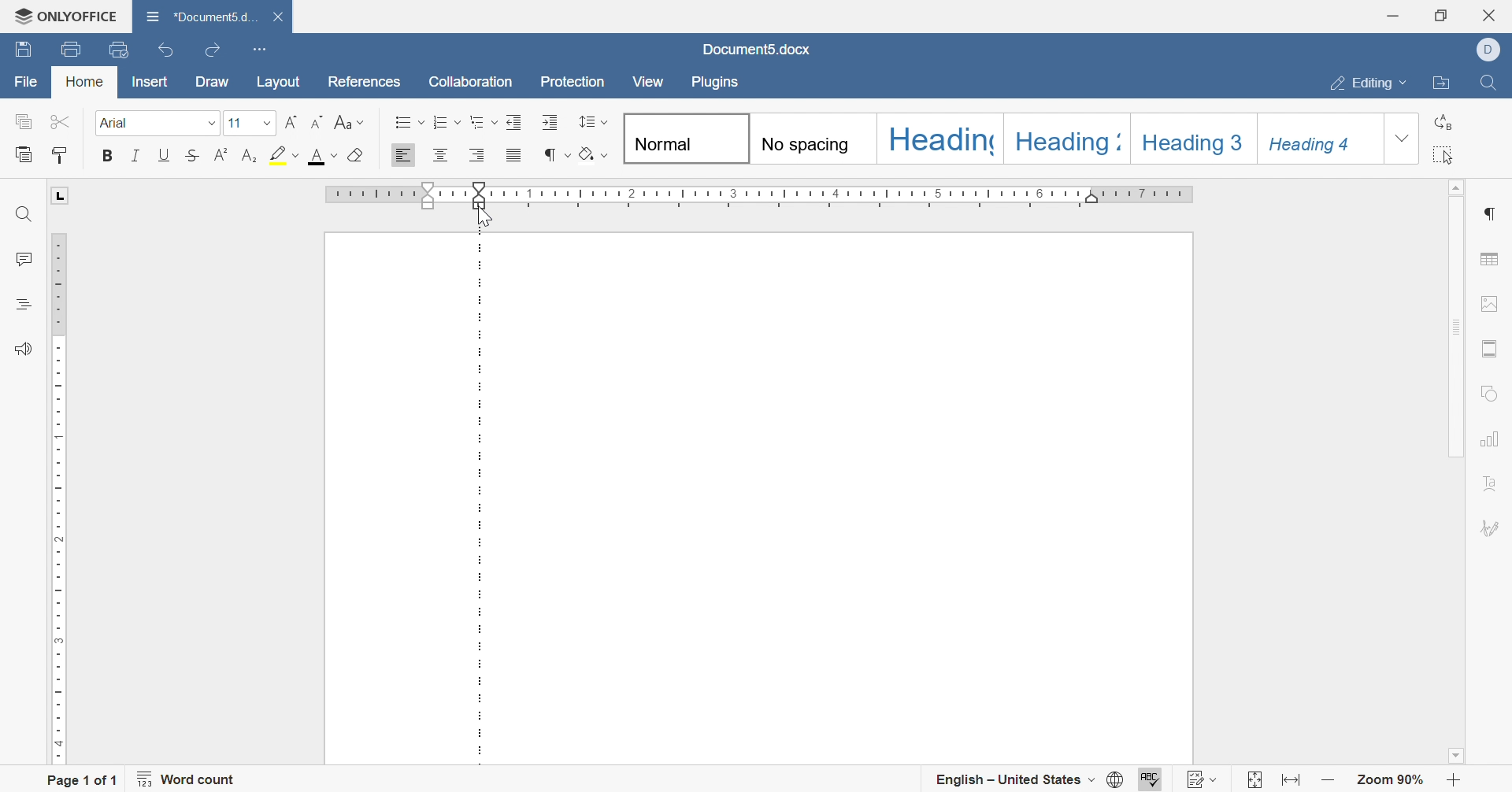  Describe the element at coordinates (118, 122) in the screenshot. I see `font` at that location.